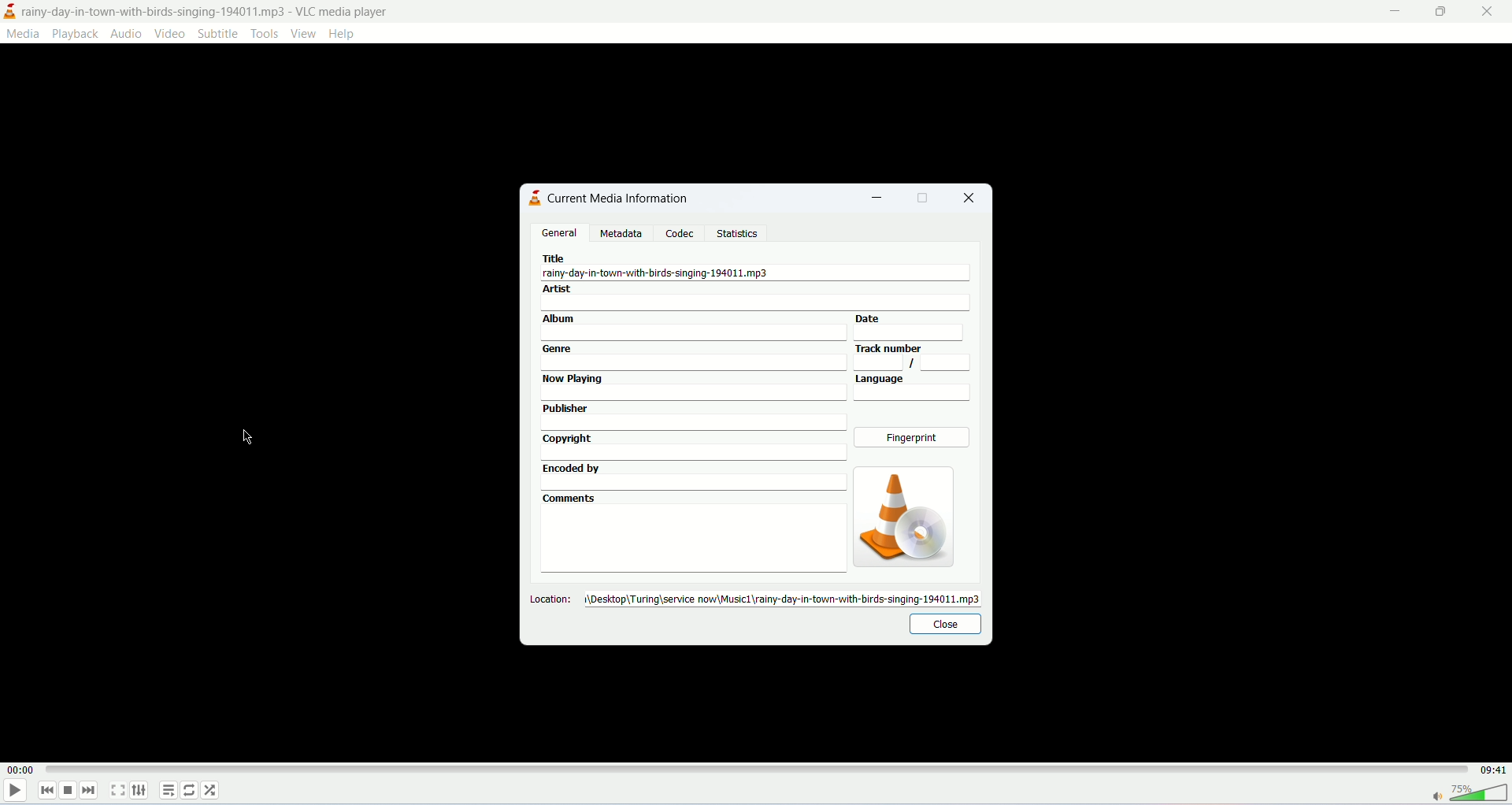 This screenshot has width=1512, height=805. What do you see at coordinates (696, 358) in the screenshot?
I see `genre` at bounding box center [696, 358].